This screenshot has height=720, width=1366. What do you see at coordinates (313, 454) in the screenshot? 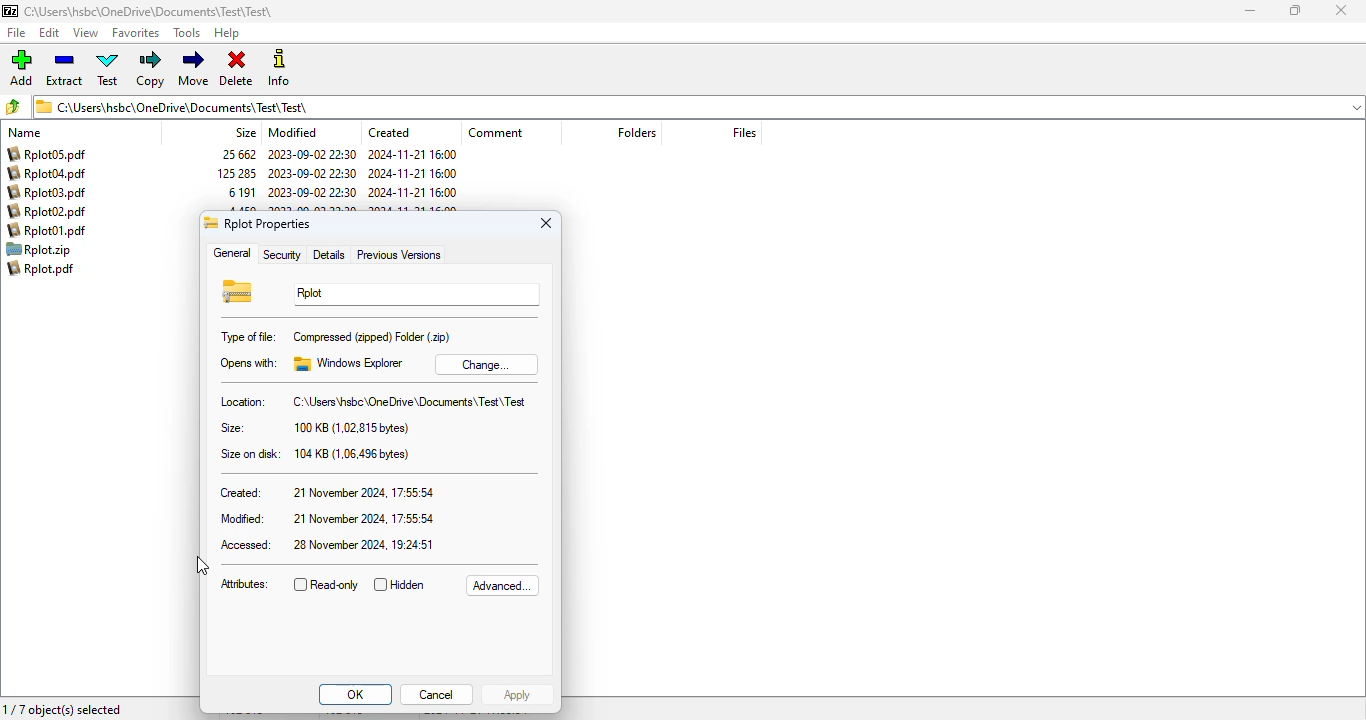
I see `size on disk: 104 KB (1,06,496 bytes)` at bounding box center [313, 454].